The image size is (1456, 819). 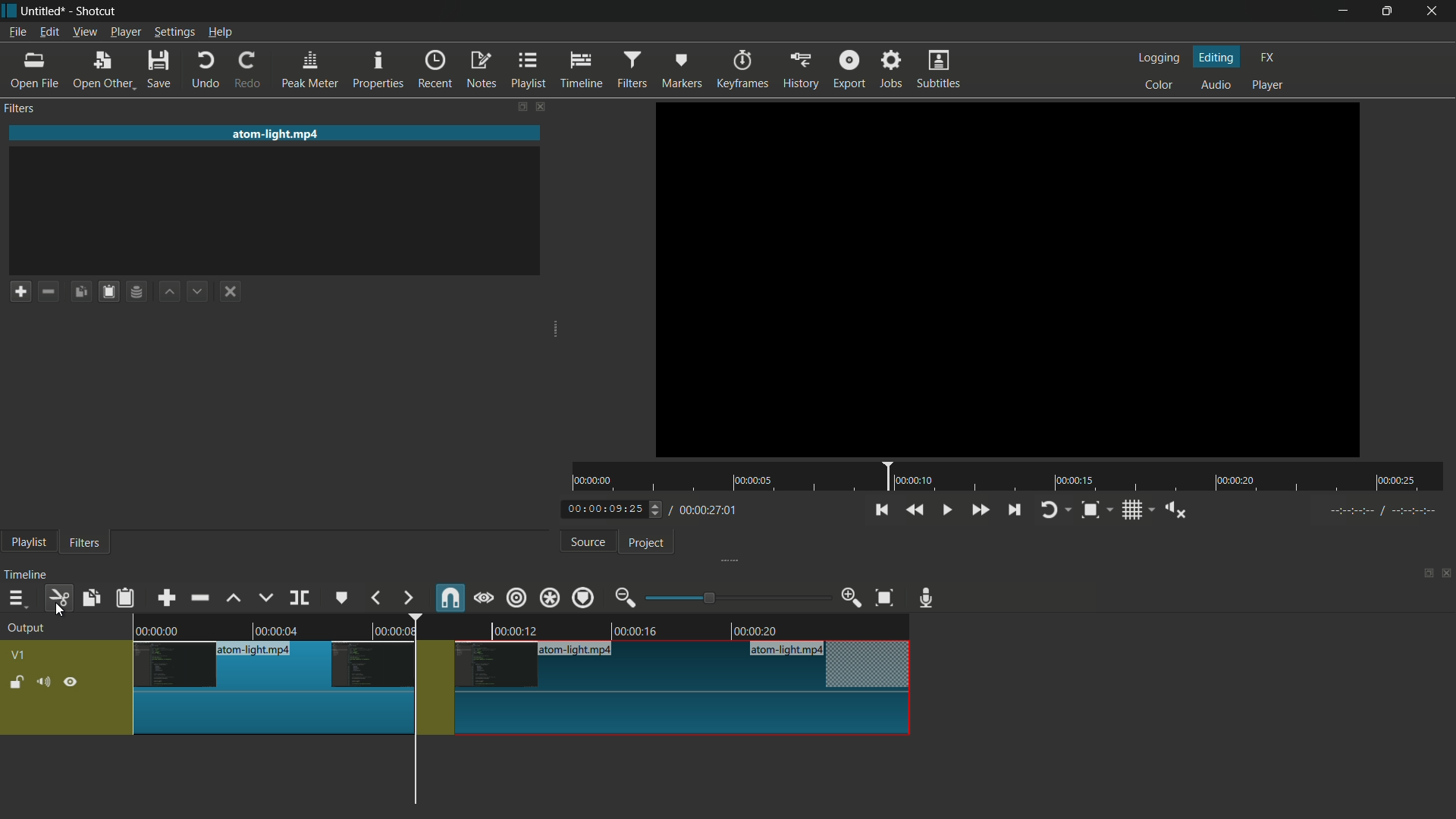 I want to click on app name, so click(x=97, y=11).